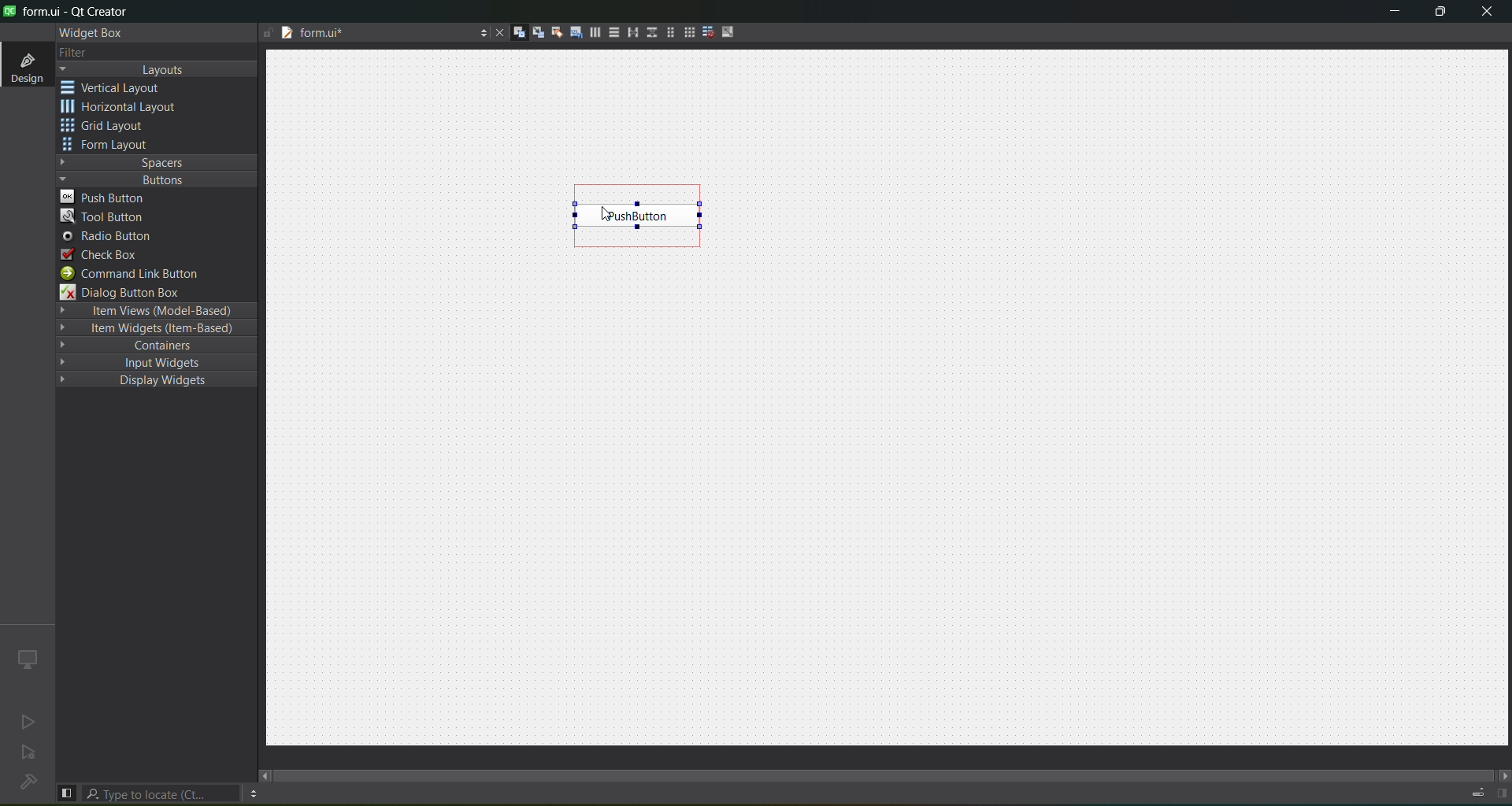 This screenshot has height=806, width=1512. What do you see at coordinates (1389, 13) in the screenshot?
I see `minimize` at bounding box center [1389, 13].